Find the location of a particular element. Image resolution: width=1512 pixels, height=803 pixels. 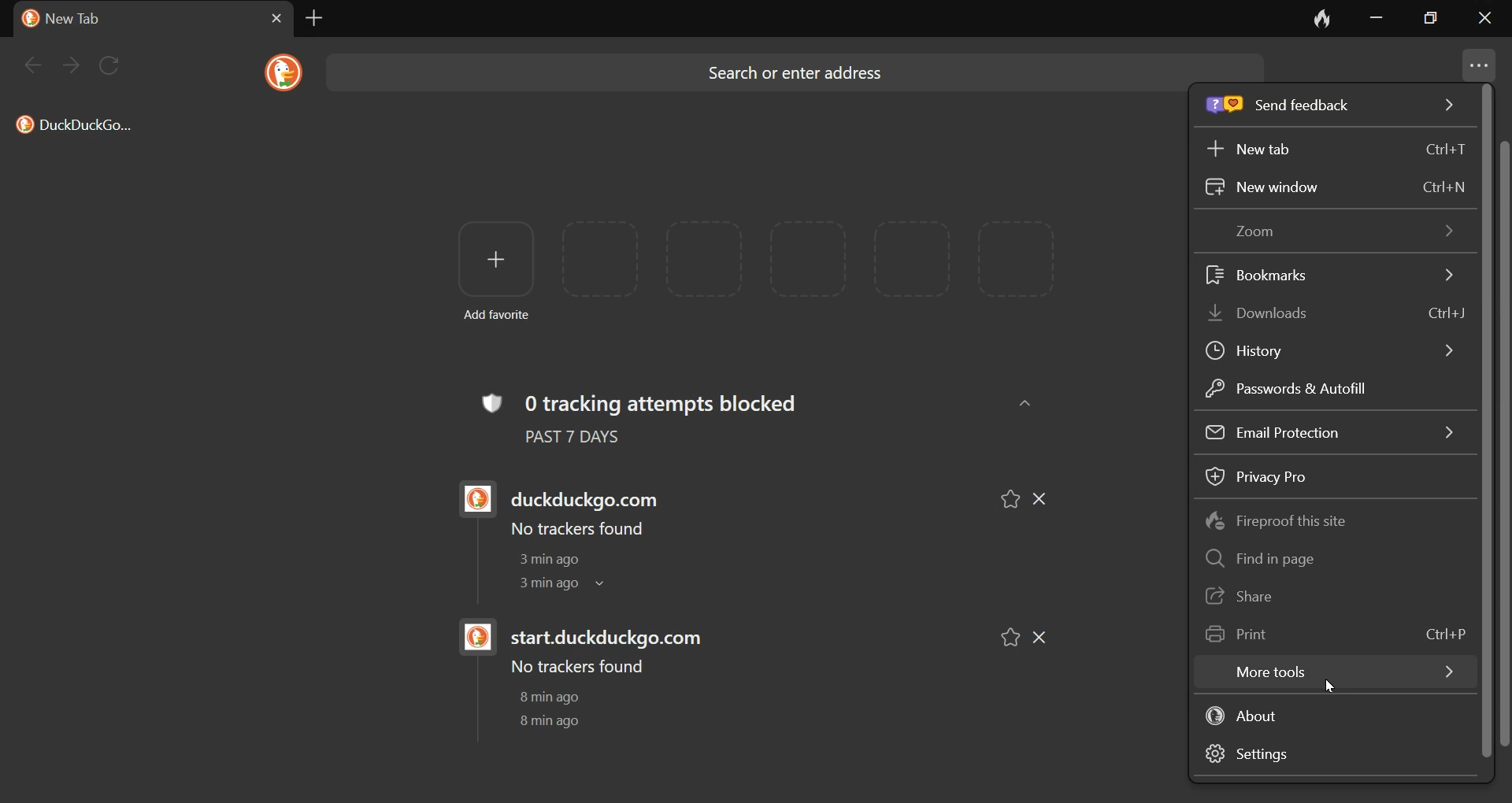

start.duckduckgo.com is located at coordinates (617, 636).